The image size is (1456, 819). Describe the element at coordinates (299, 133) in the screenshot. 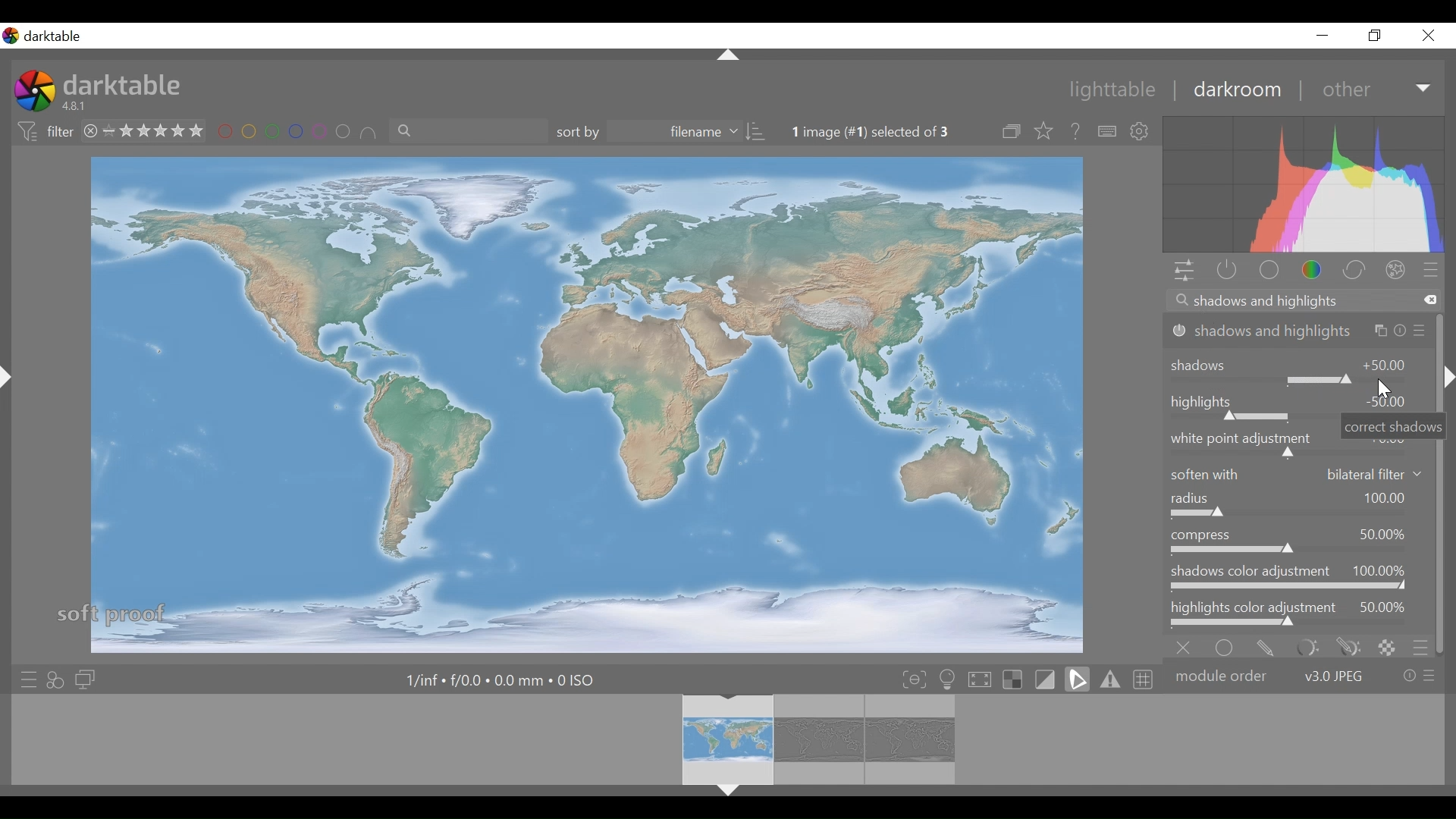

I see `filter by images color label` at that location.